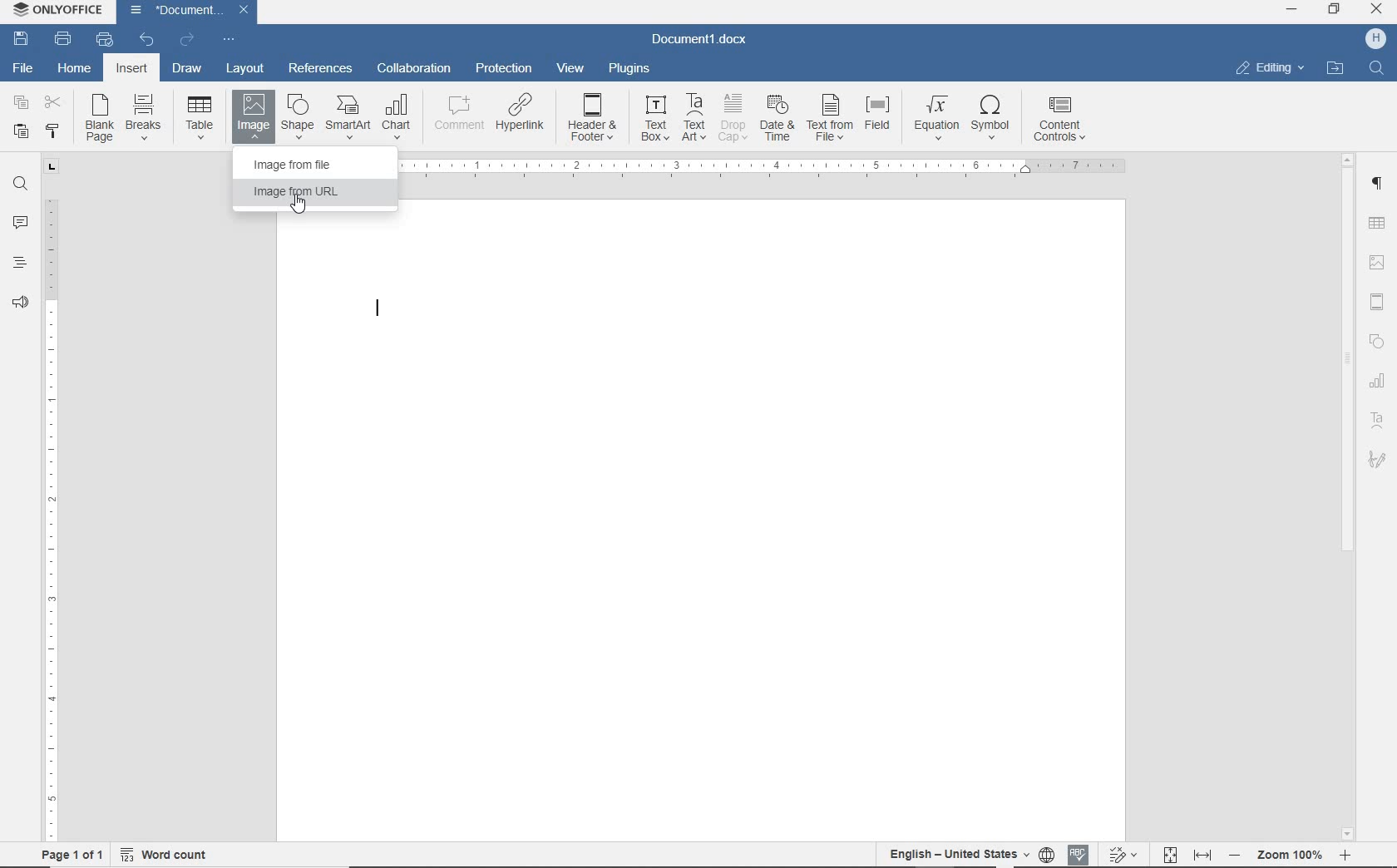 This screenshot has width=1397, height=868. Describe the element at coordinates (229, 39) in the screenshot. I see `customize quick access toolbar` at that location.